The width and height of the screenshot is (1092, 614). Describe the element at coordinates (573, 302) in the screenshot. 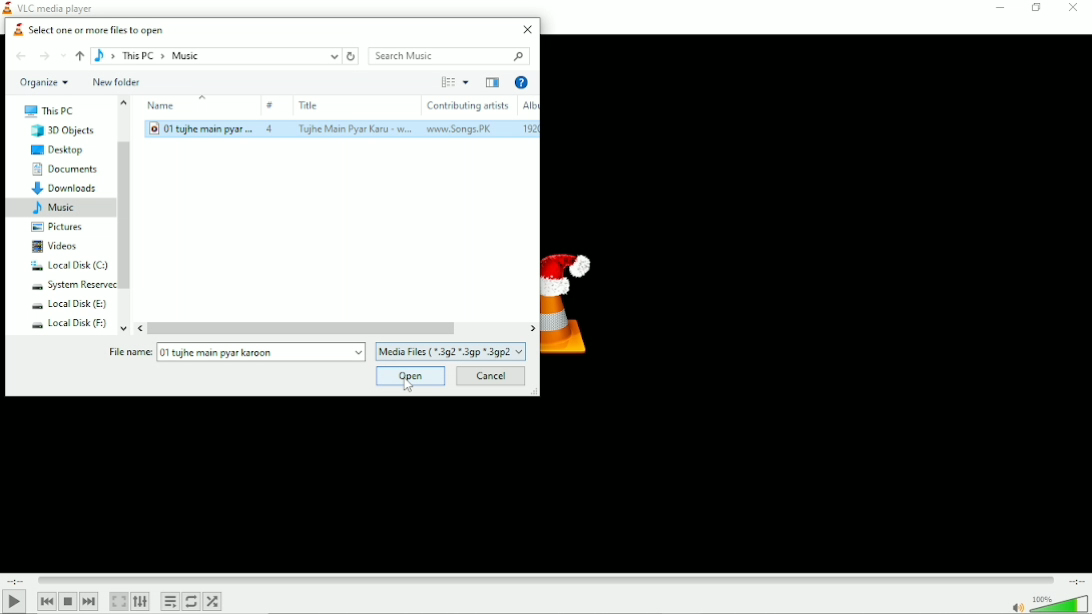

I see `Logo` at that location.